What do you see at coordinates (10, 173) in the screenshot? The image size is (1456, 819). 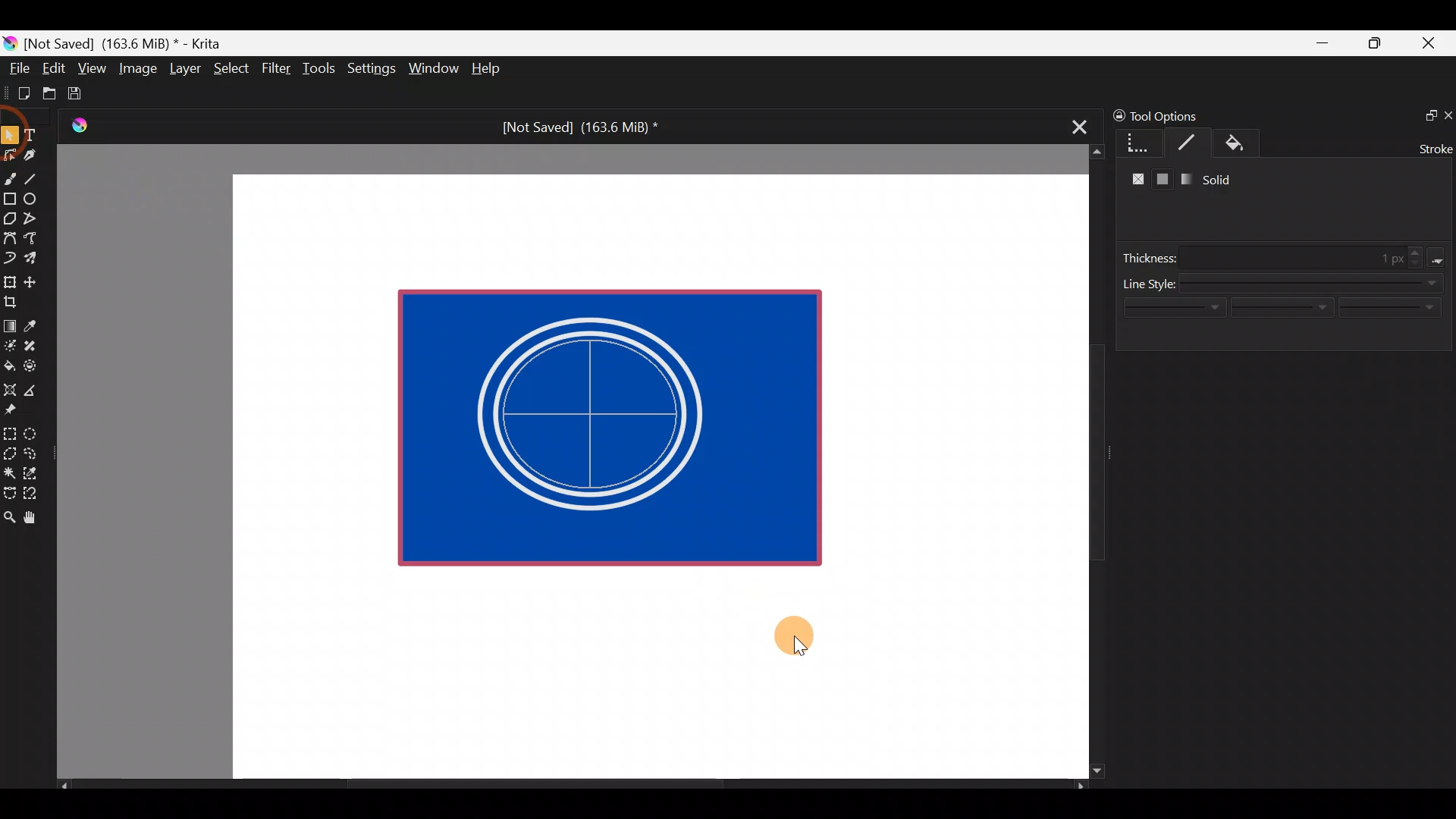 I see `Freehand brush tool` at bounding box center [10, 173].